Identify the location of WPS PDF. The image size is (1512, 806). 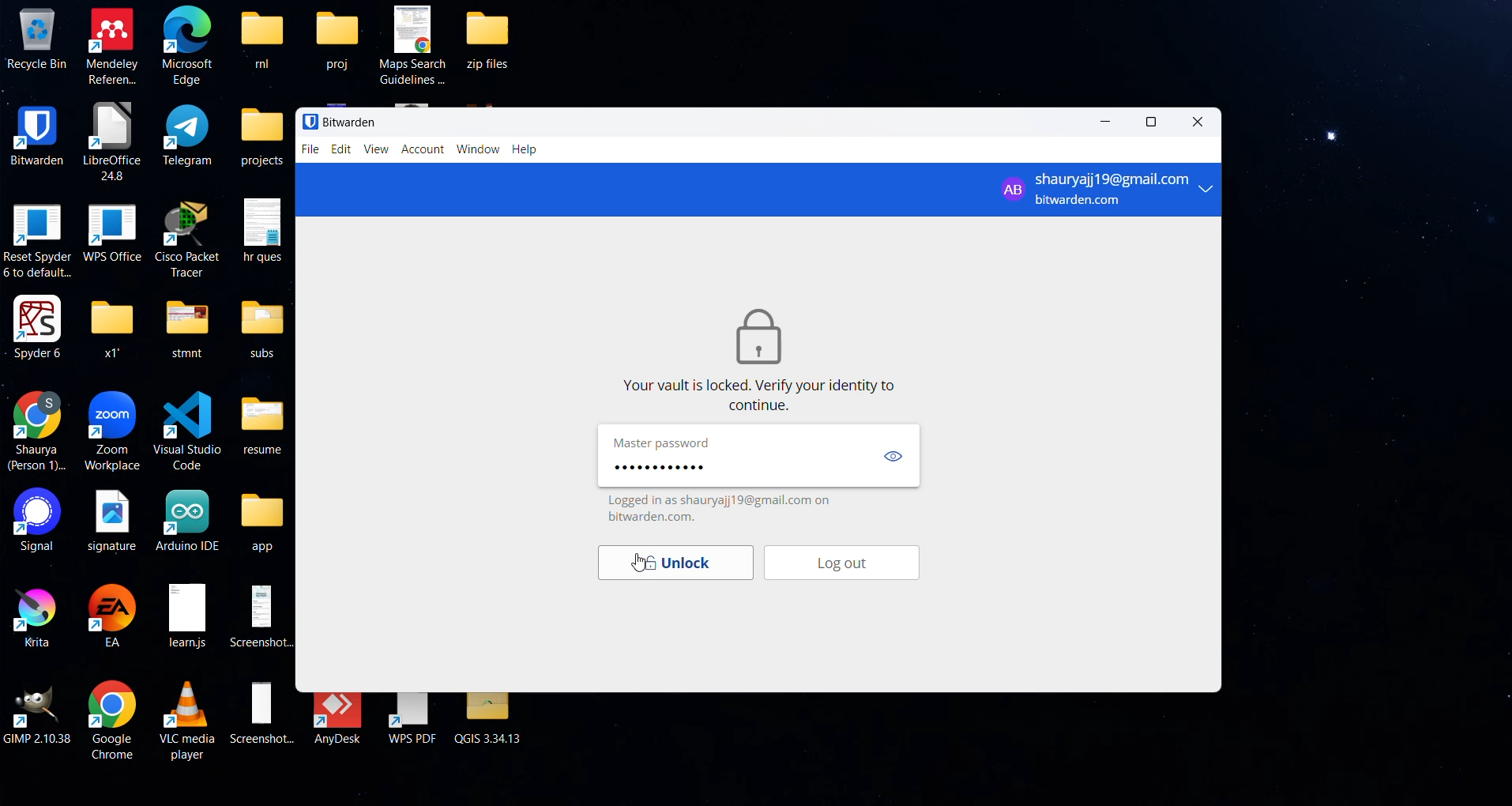
(412, 720).